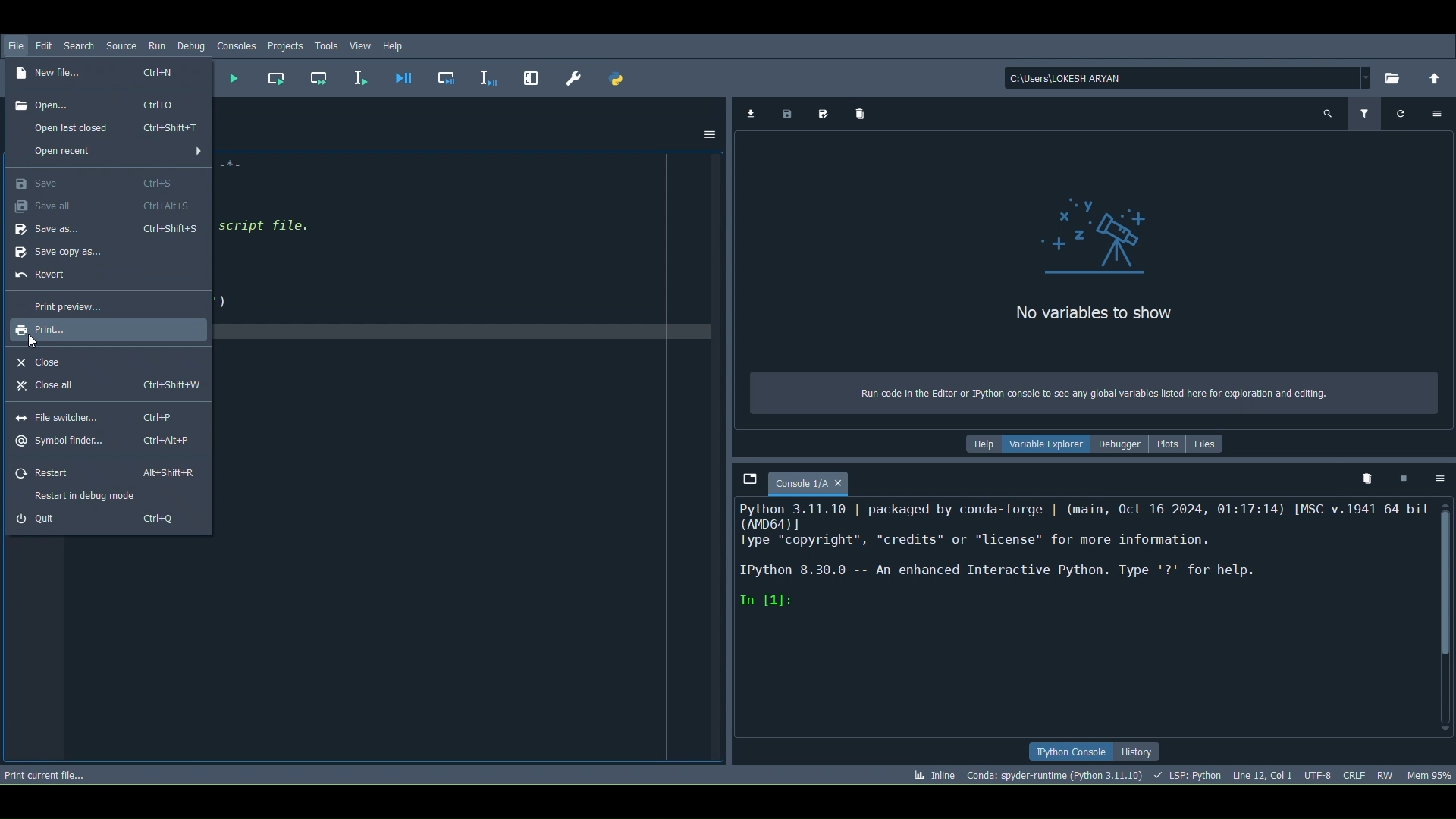  I want to click on Filter variables, so click(1366, 117).